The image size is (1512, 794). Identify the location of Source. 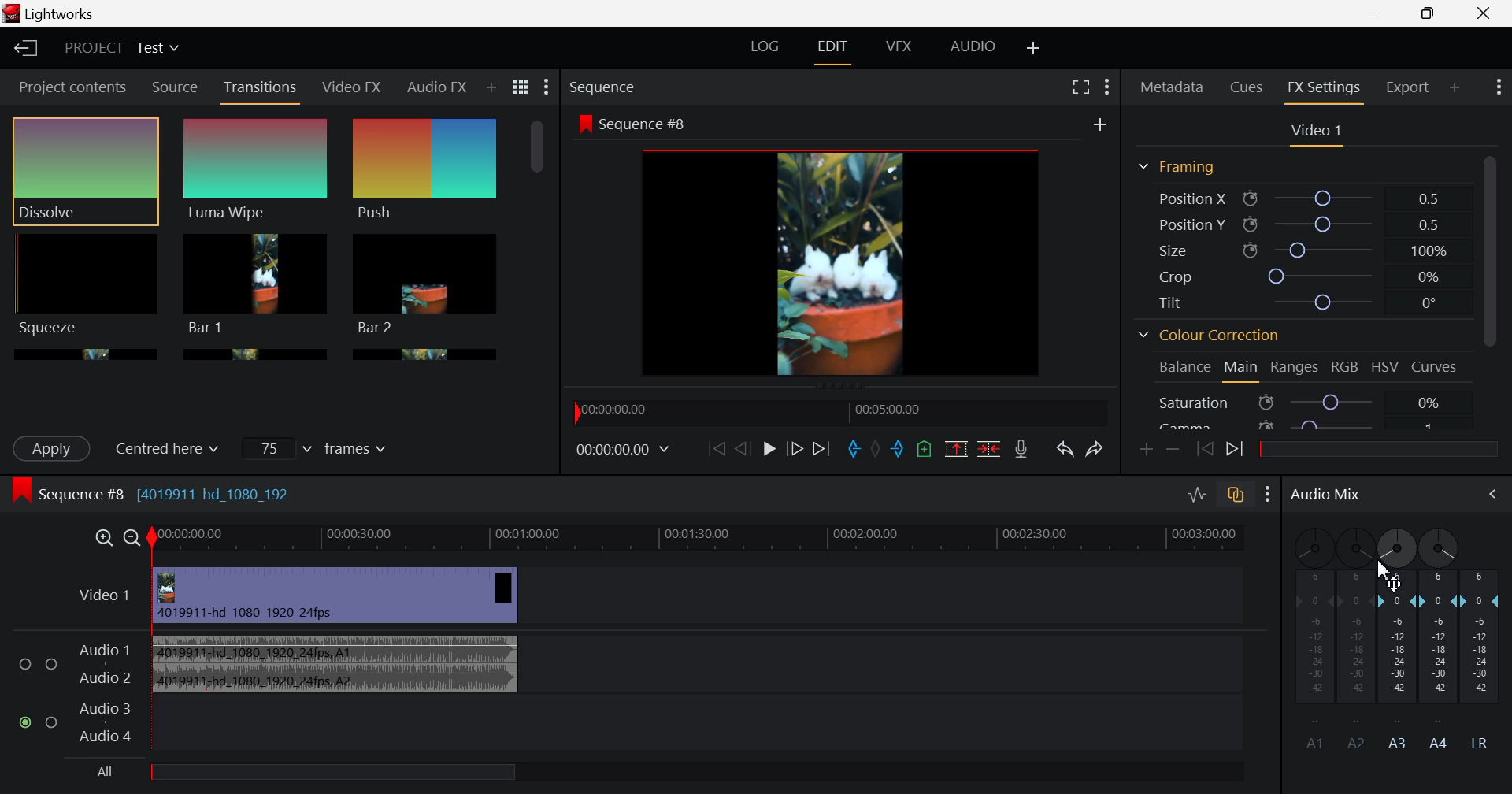
(176, 86).